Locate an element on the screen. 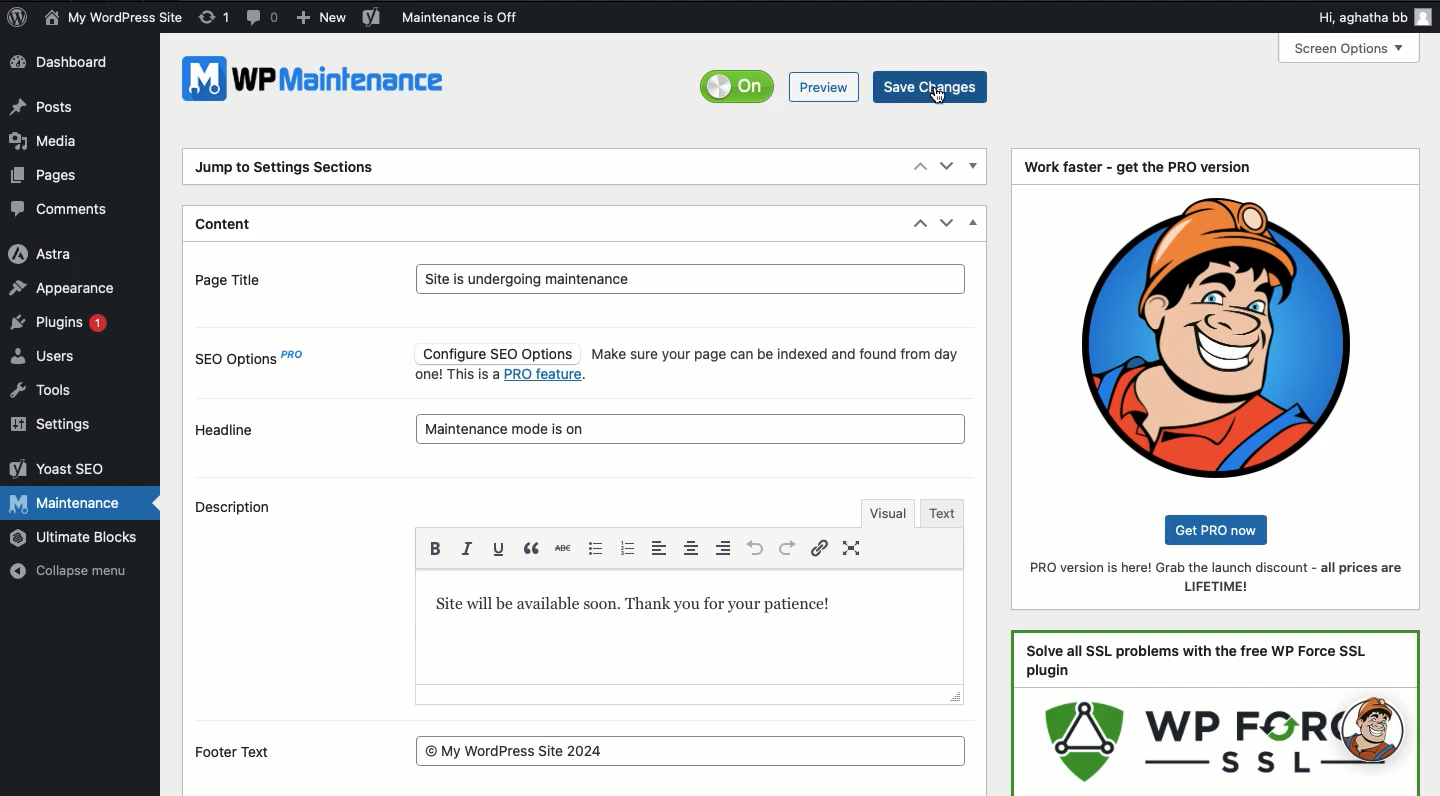 The width and height of the screenshot is (1440, 796). Make sure your page can be indexed and found from day is located at coordinates (775, 354).